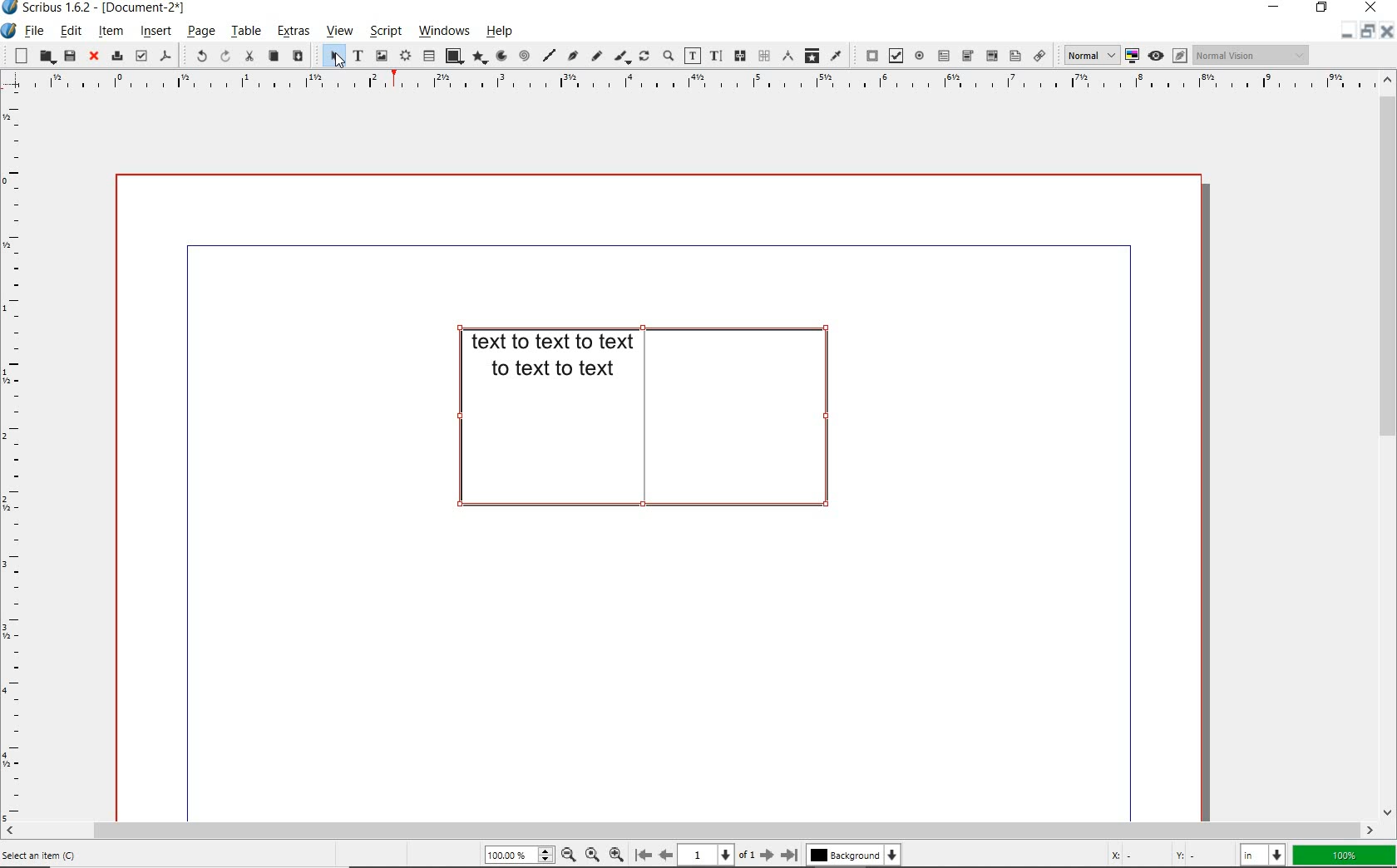 The image size is (1397, 868). Describe the element at coordinates (568, 854) in the screenshot. I see `zoom out` at that location.